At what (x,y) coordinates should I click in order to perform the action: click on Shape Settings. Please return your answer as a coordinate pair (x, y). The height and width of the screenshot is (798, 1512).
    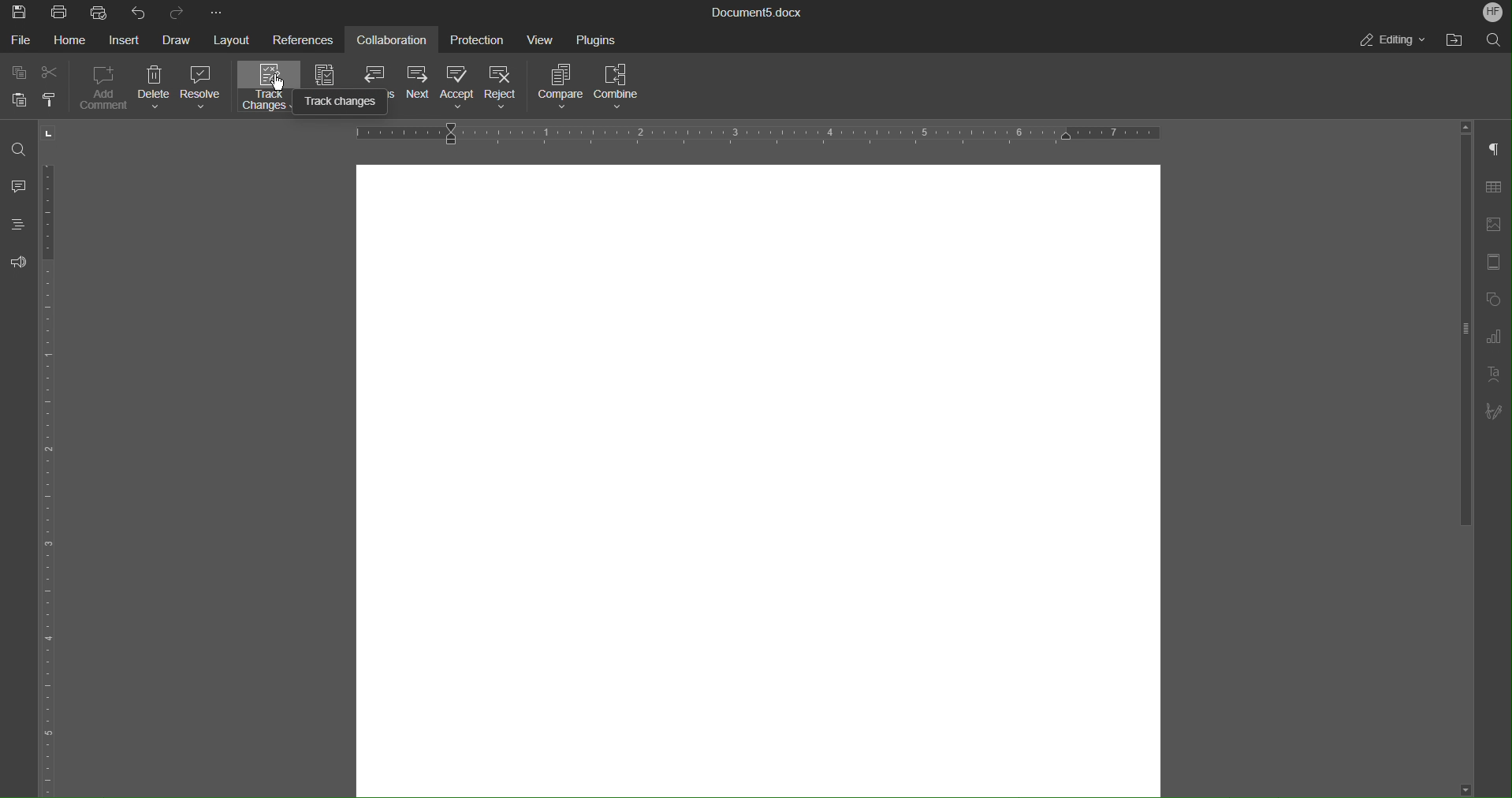
    Looking at the image, I should click on (1492, 302).